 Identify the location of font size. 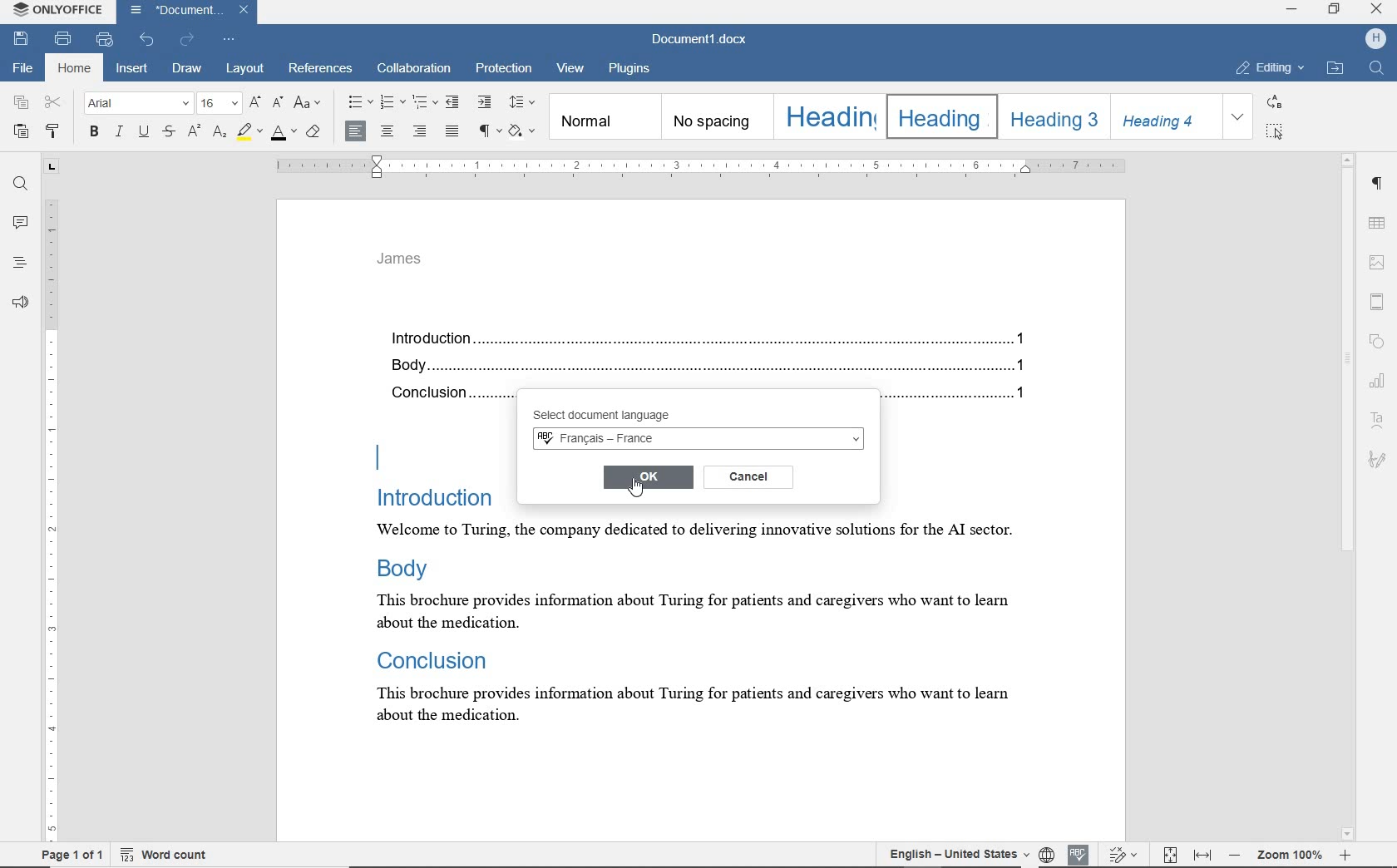
(219, 104).